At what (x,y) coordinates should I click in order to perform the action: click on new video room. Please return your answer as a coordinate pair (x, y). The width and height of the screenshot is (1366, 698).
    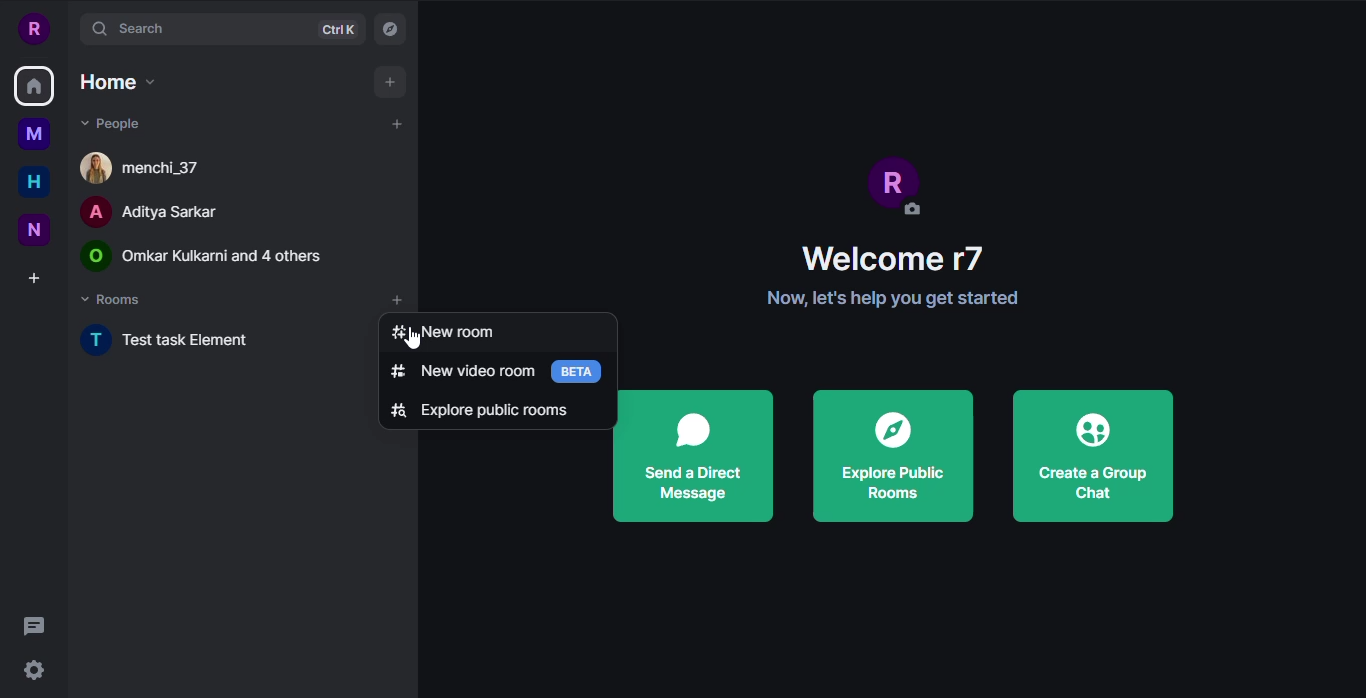
    Looking at the image, I should click on (460, 372).